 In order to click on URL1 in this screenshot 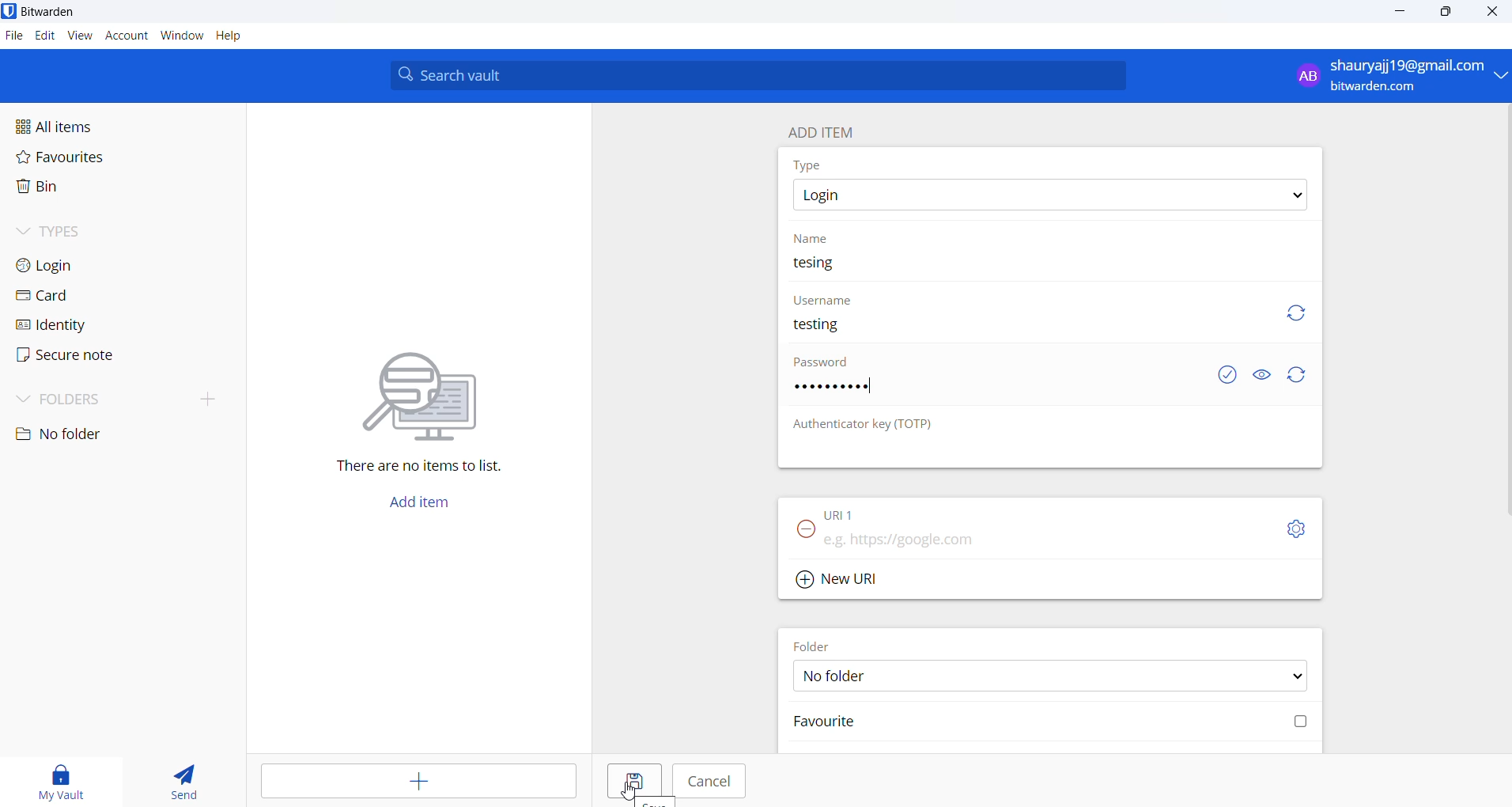, I will do `click(853, 511)`.